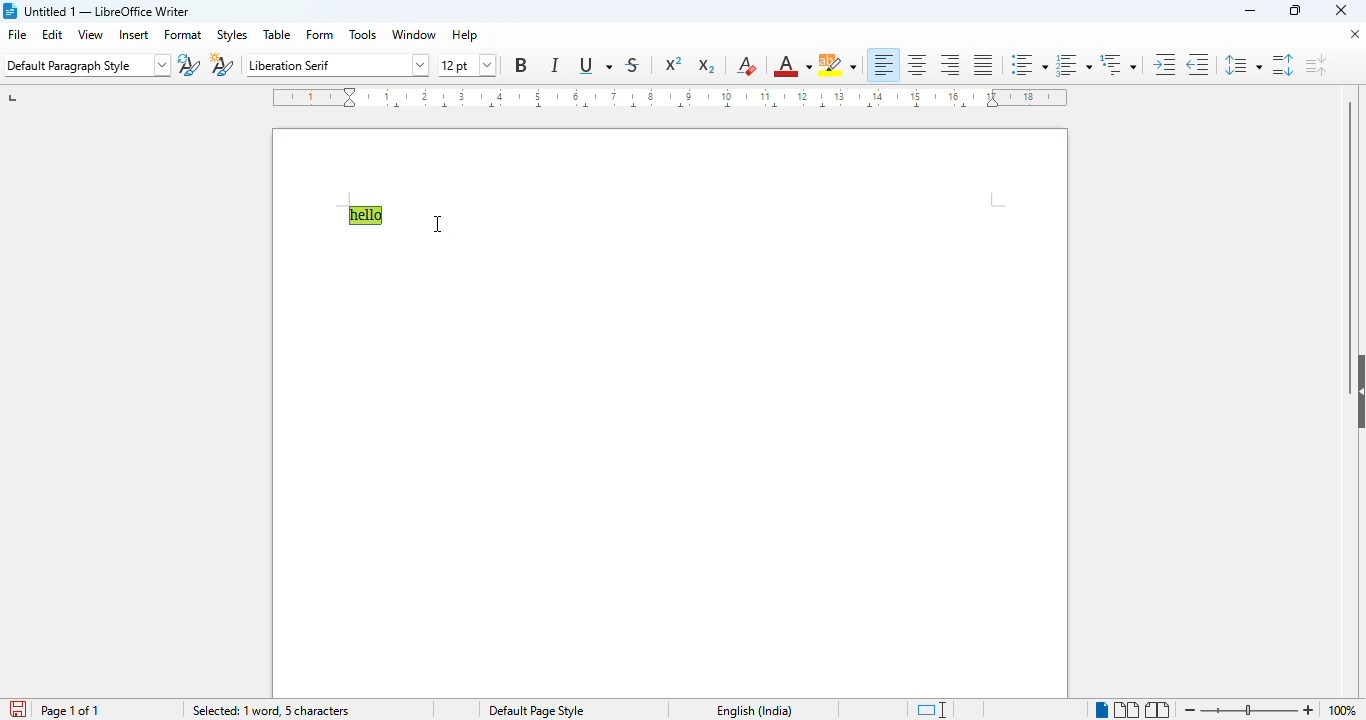 The image size is (1366, 720). Describe the element at coordinates (1158, 709) in the screenshot. I see `book view` at that location.